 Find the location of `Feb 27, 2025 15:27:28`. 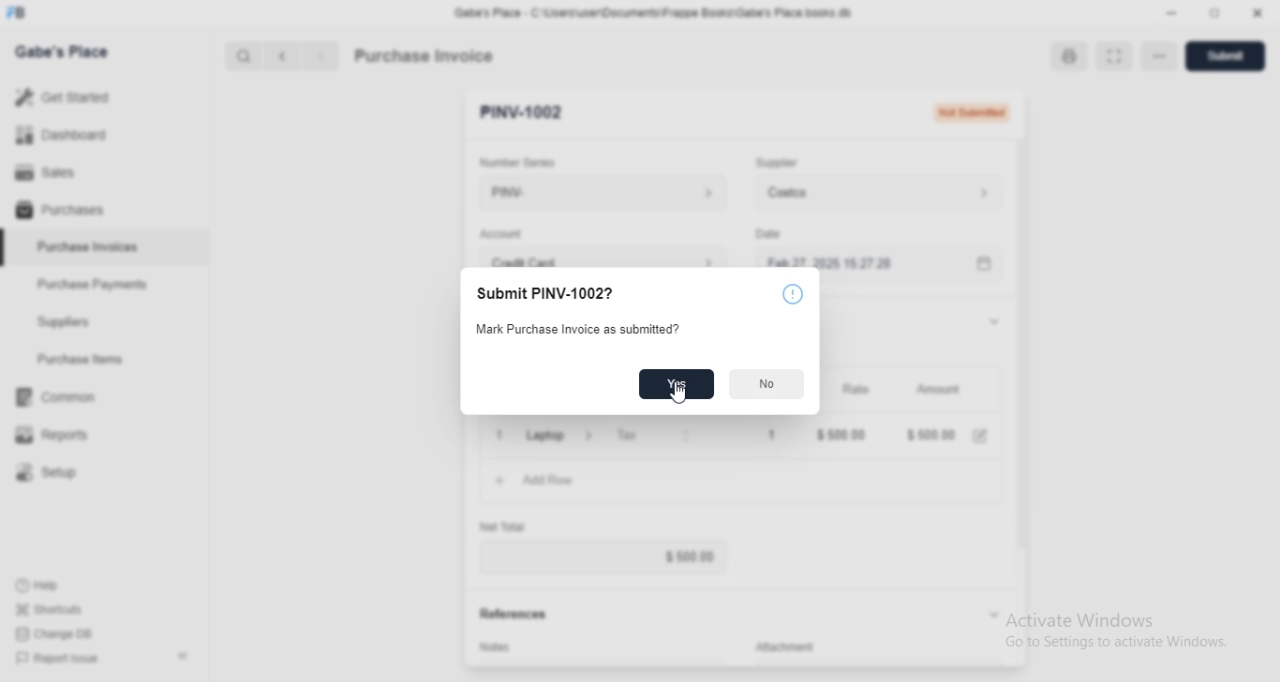

Feb 27, 2025 15:27:28 is located at coordinates (912, 263).